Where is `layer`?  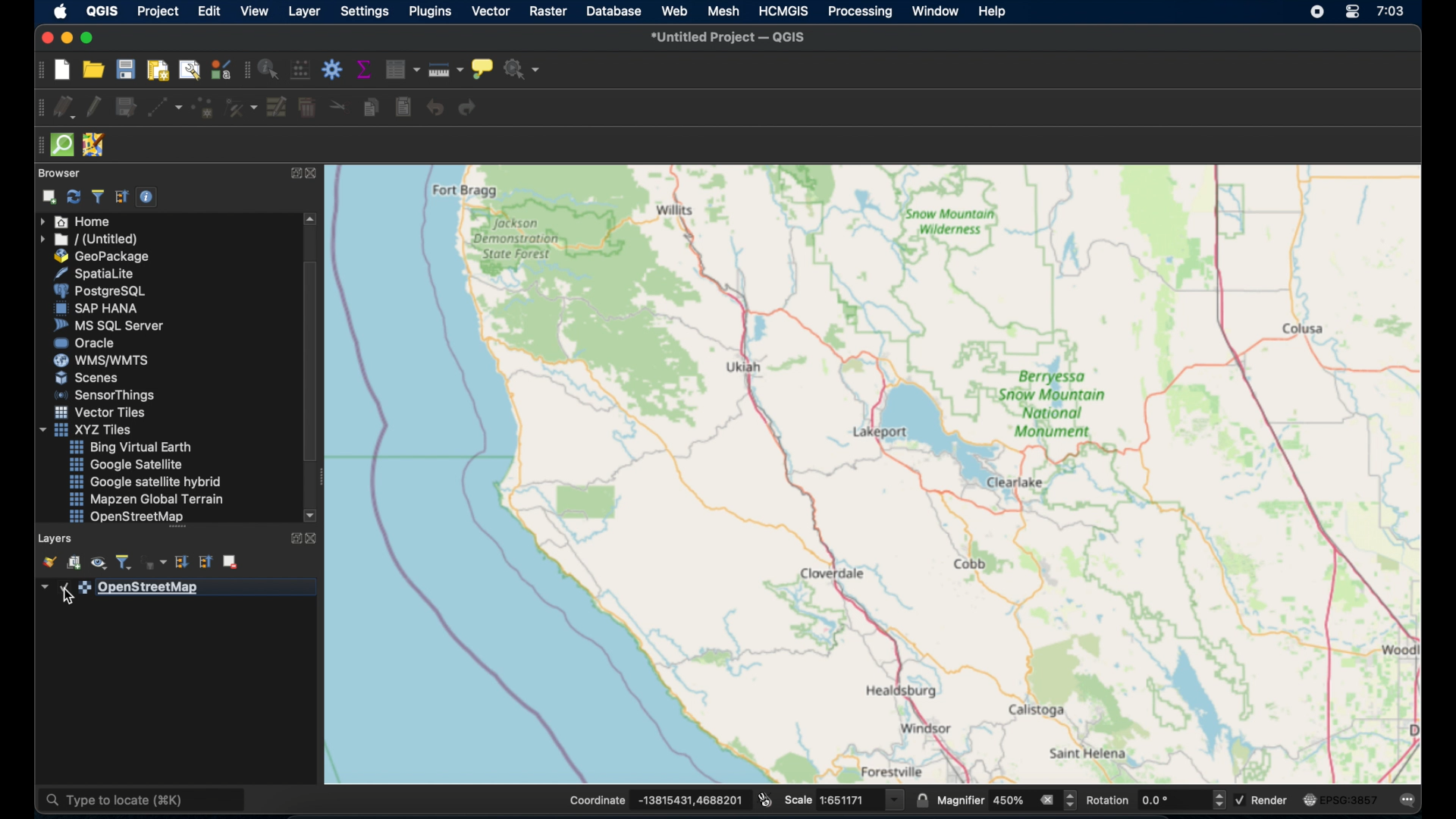 layer is located at coordinates (305, 12).